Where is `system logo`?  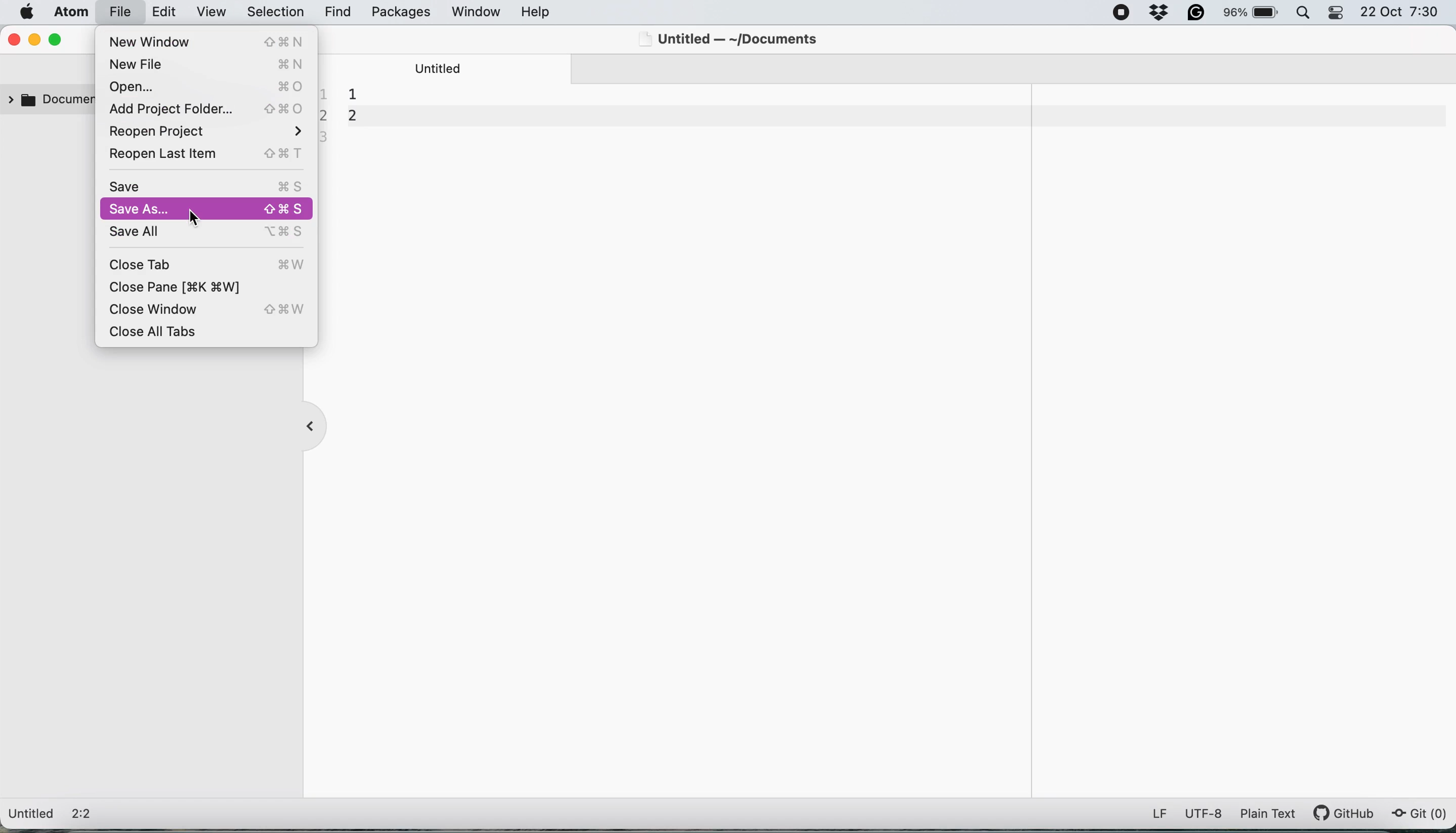
system logo is located at coordinates (27, 14).